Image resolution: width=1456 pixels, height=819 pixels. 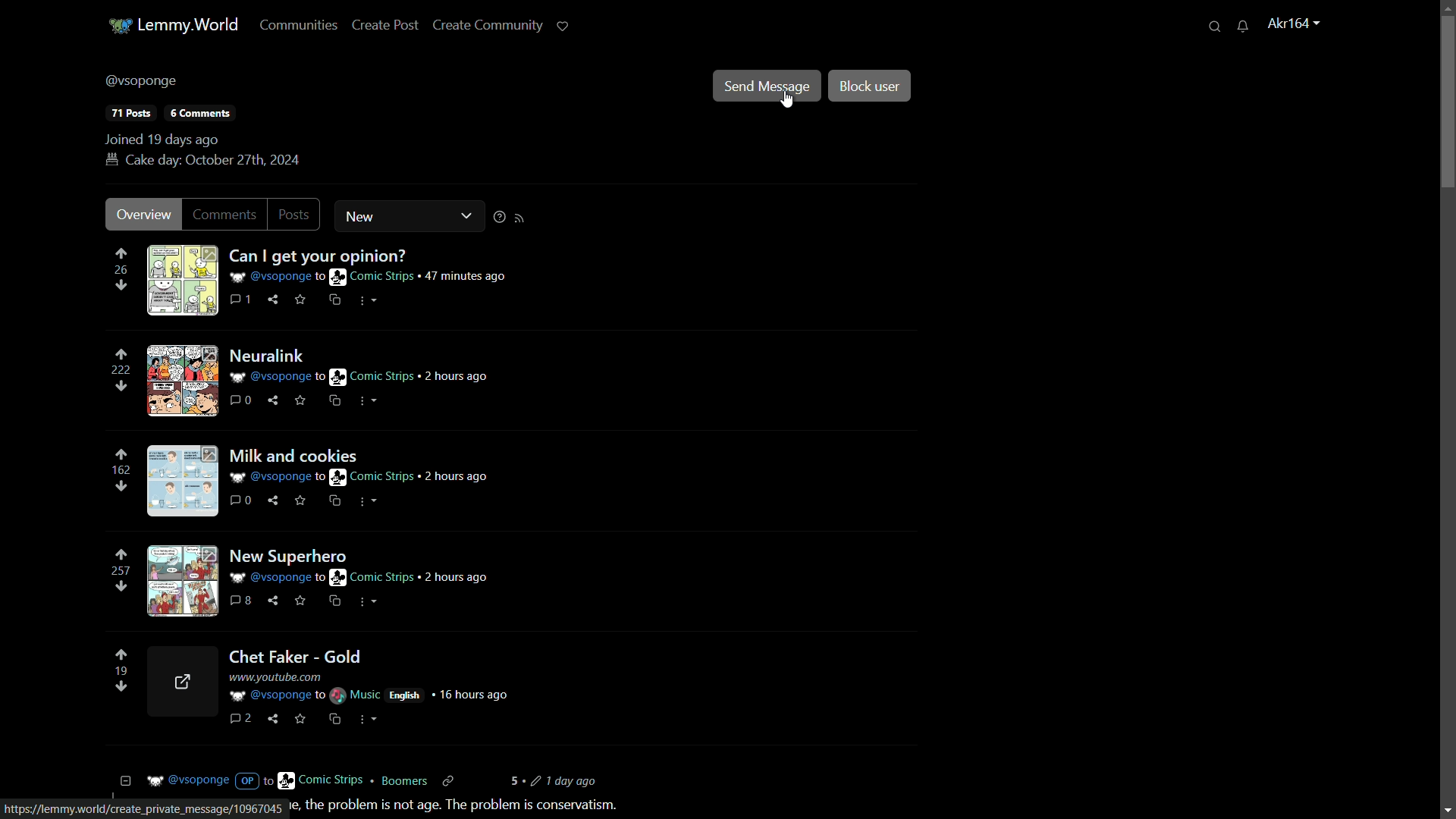 What do you see at coordinates (1294, 24) in the screenshot?
I see `username` at bounding box center [1294, 24].